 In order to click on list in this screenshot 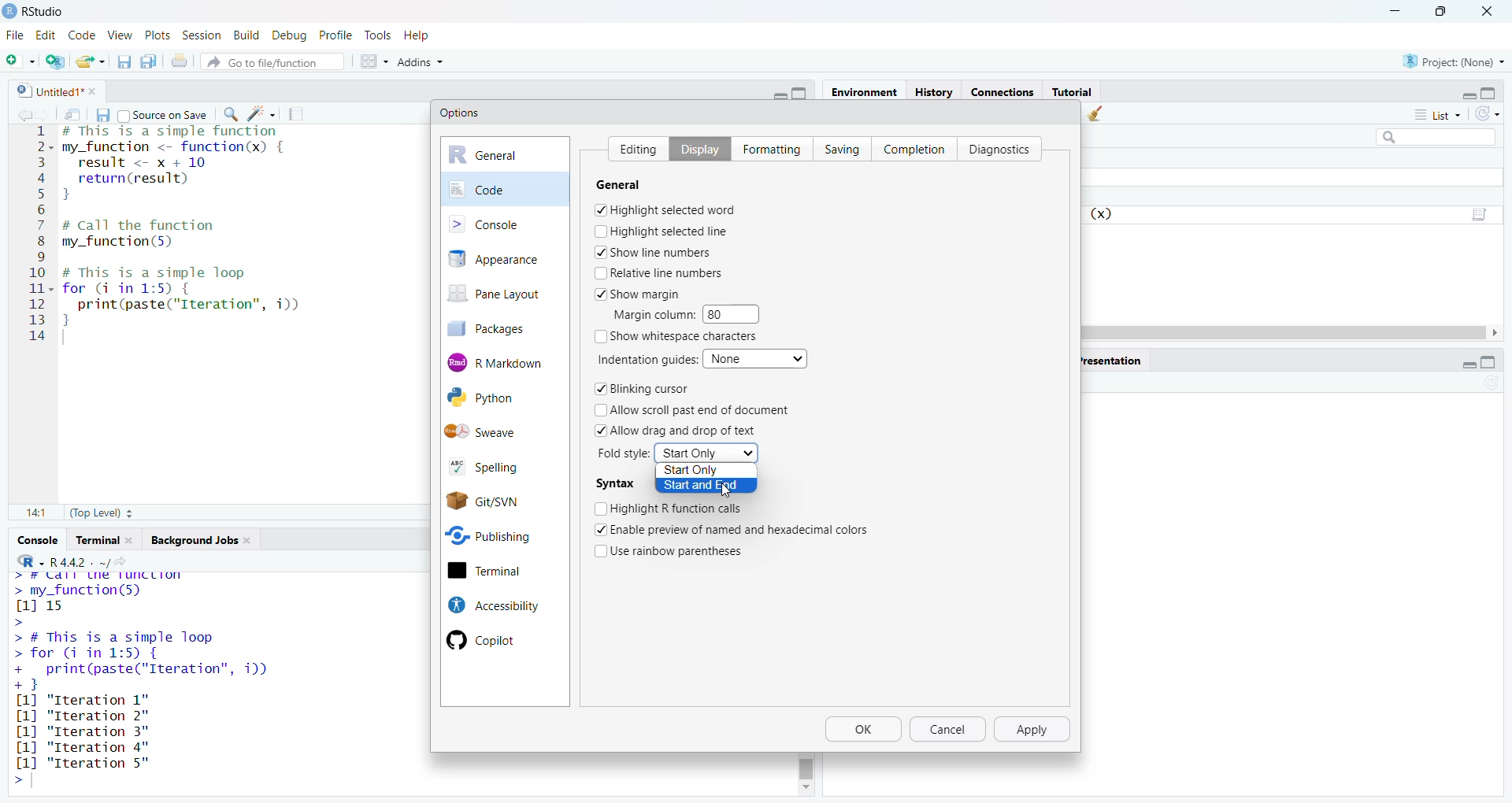, I will do `click(1436, 117)`.